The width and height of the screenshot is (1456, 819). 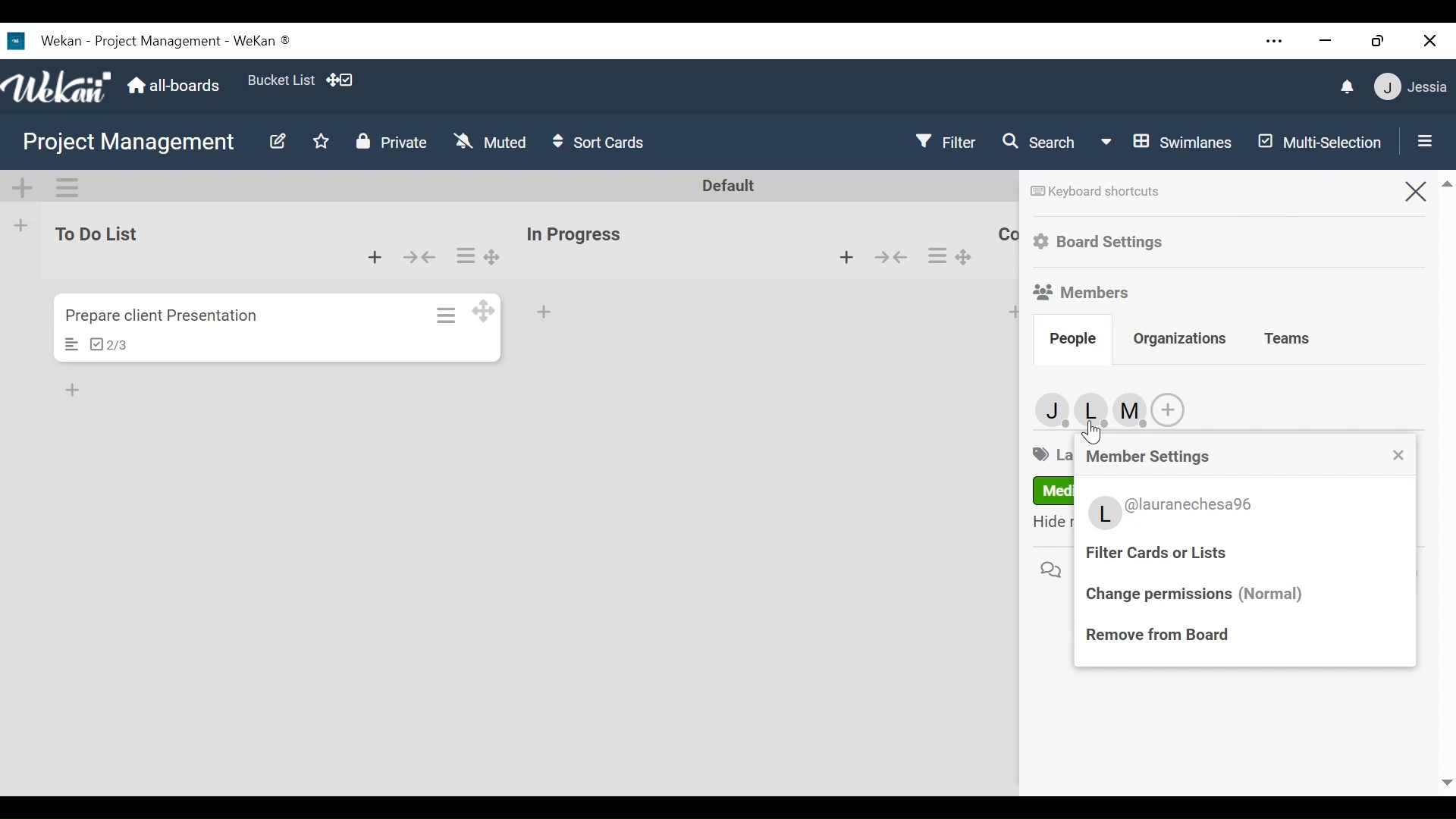 I want to click on Search, so click(x=1040, y=144).